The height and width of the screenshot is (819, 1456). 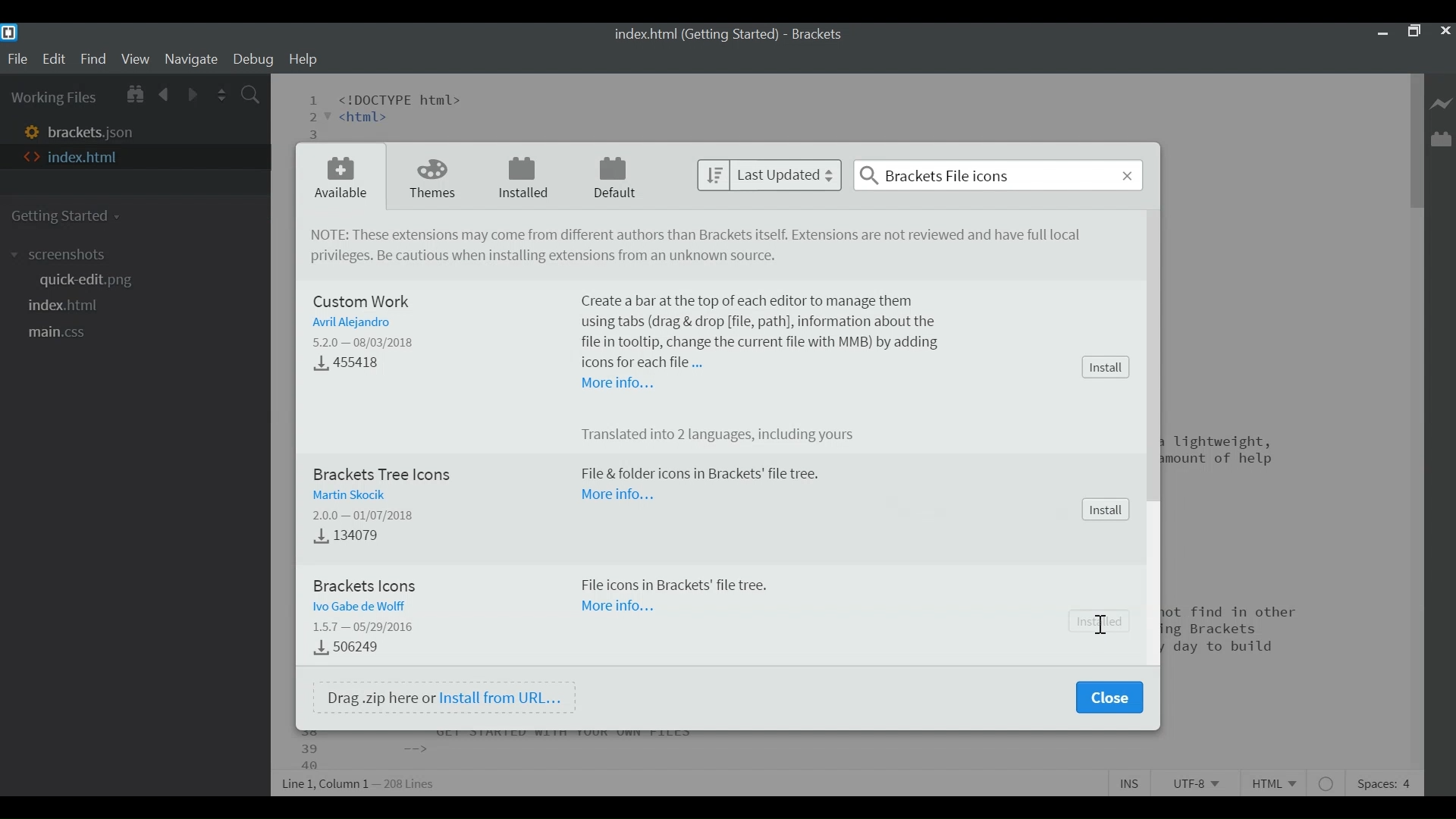 What do you see at coordinates (676, 586) in the screenshot?
I see `File icons in Backets file tree` at bounding box center [676, 586].